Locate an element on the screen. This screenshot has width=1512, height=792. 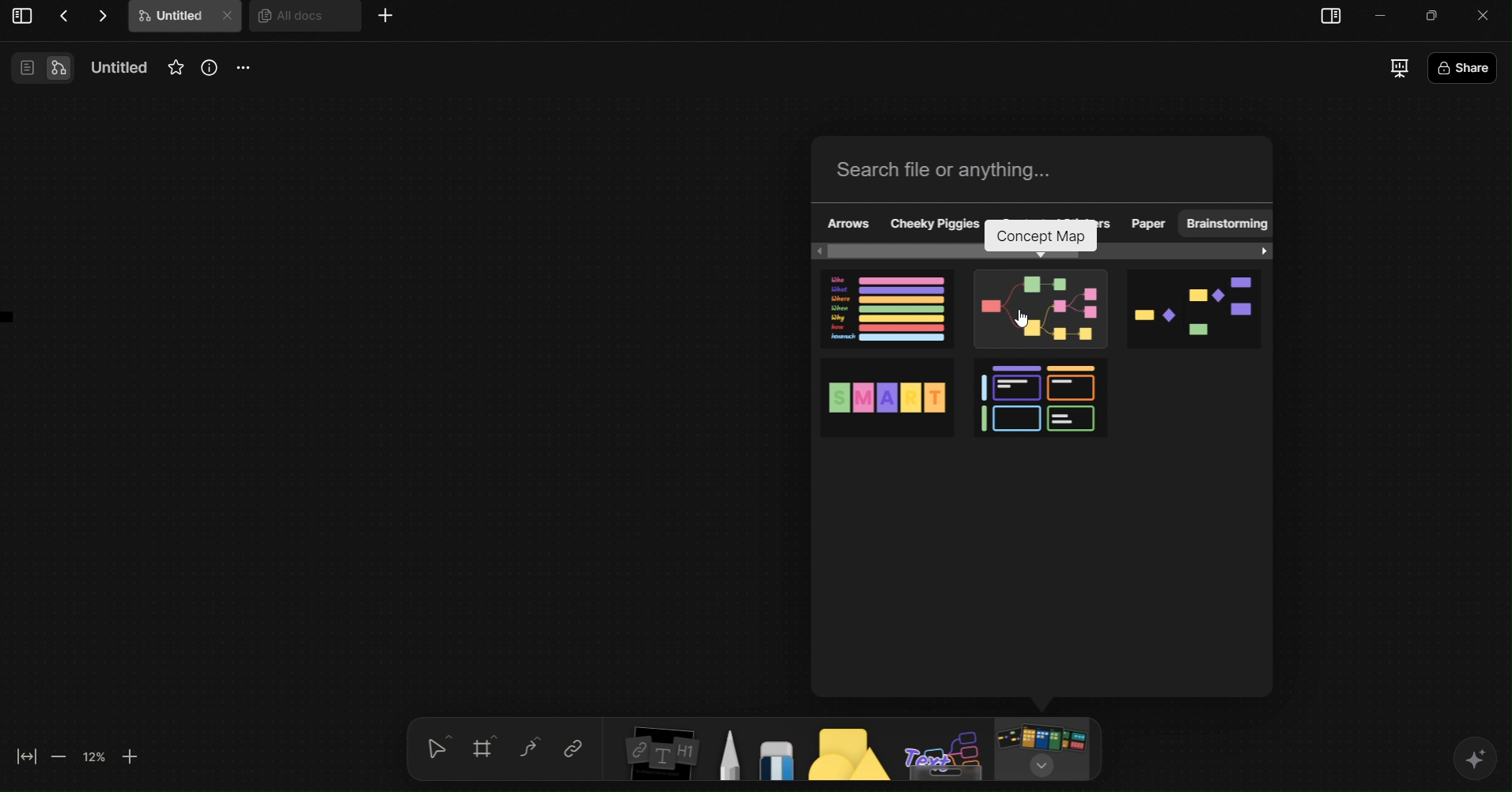
Link tool is located at coordinates (573, 749).